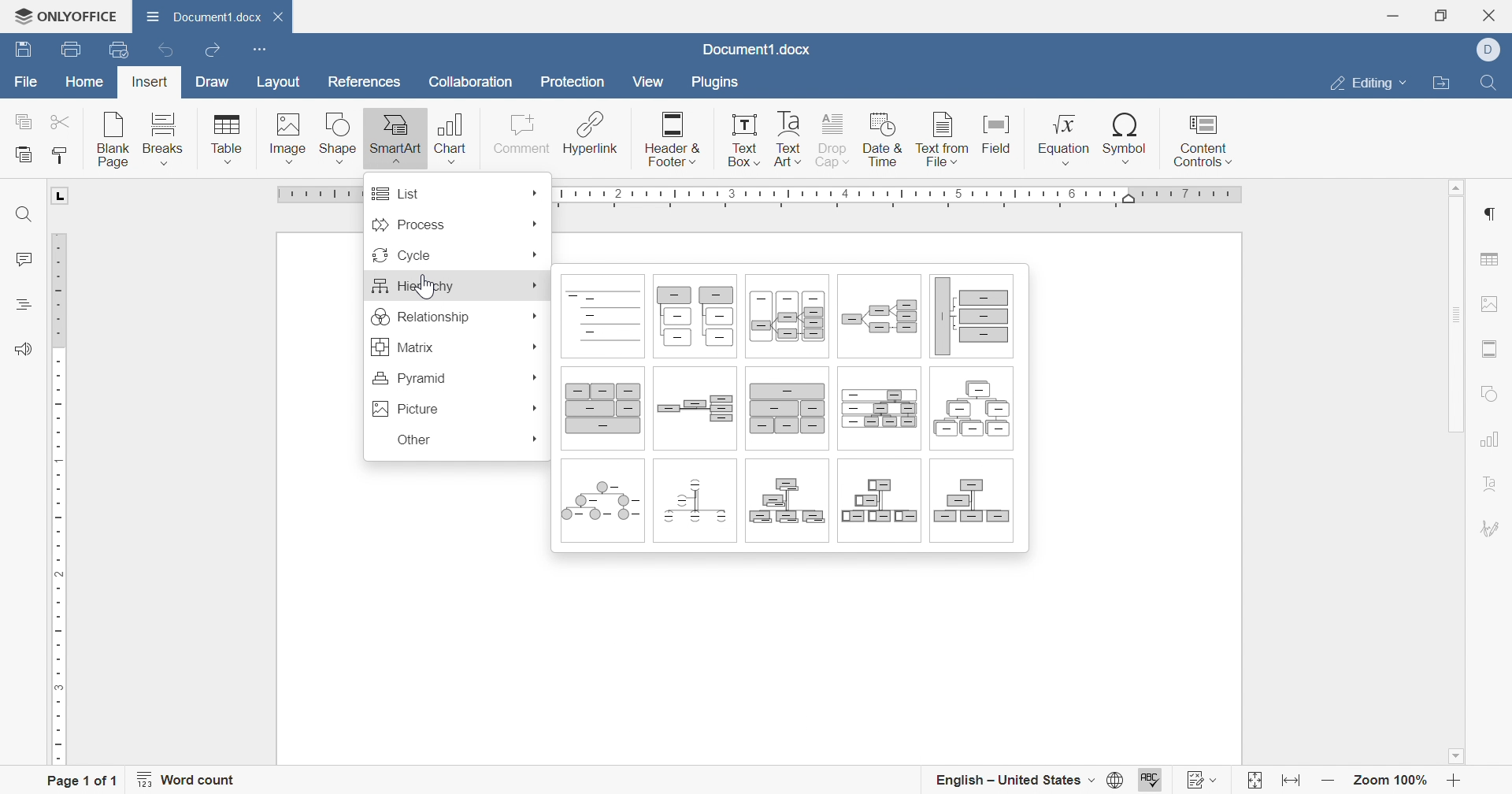 The width and height of the screenshot is (1512, 794). Describe the element at coordinates (21, 302) in the screenshot. I see `Heading` at that location.